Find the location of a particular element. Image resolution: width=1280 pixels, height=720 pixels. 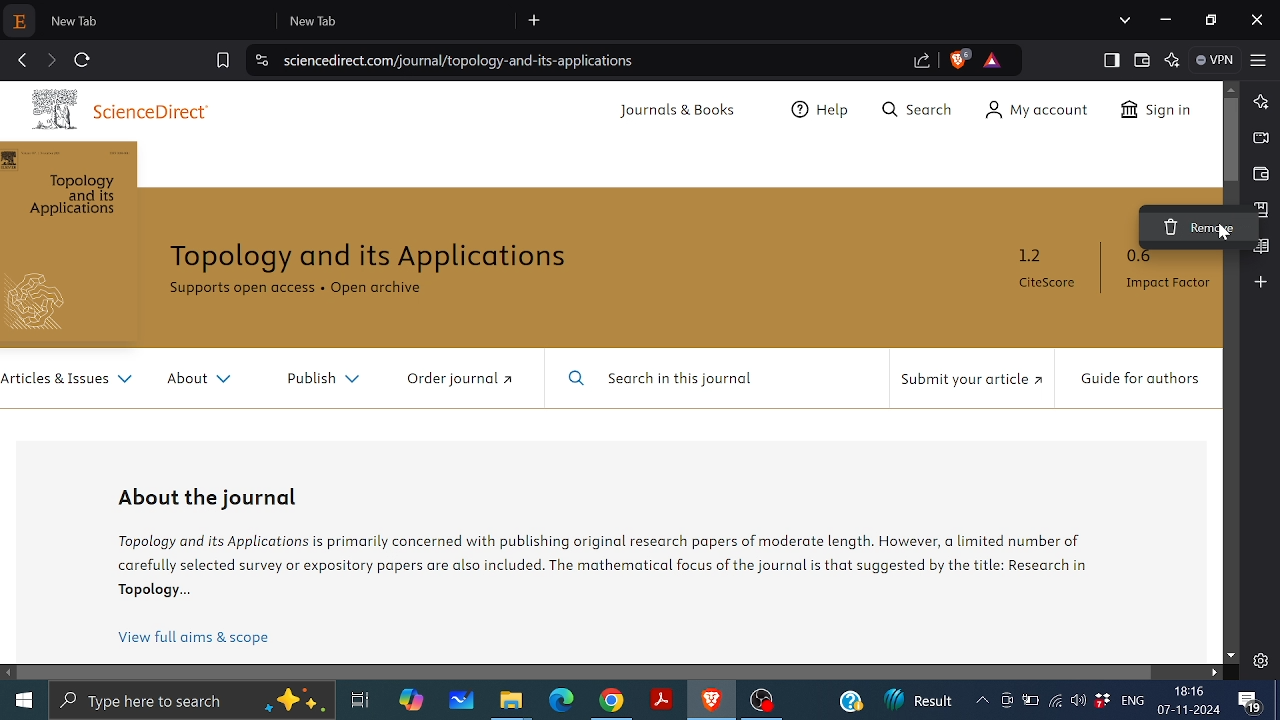

Battery is located at coordinates (1030, 703).